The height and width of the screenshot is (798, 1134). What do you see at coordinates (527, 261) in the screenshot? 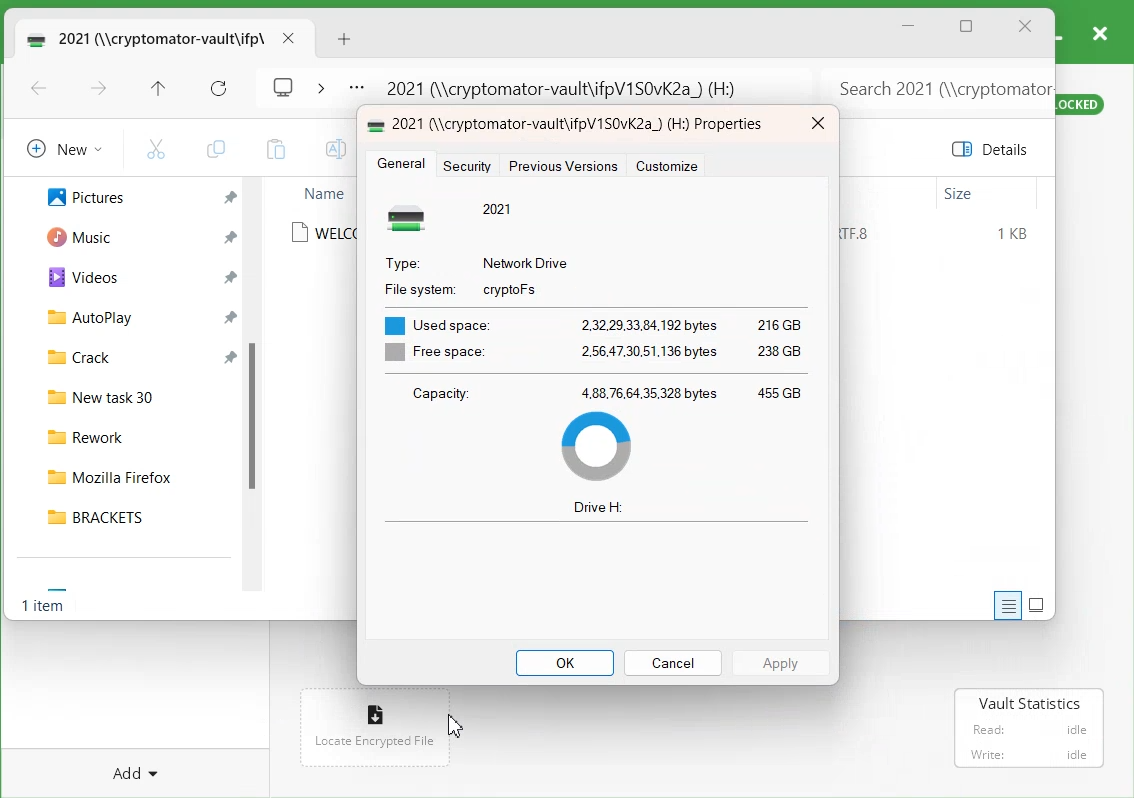
I see `Network Drive` at bounding box center [527, 261].